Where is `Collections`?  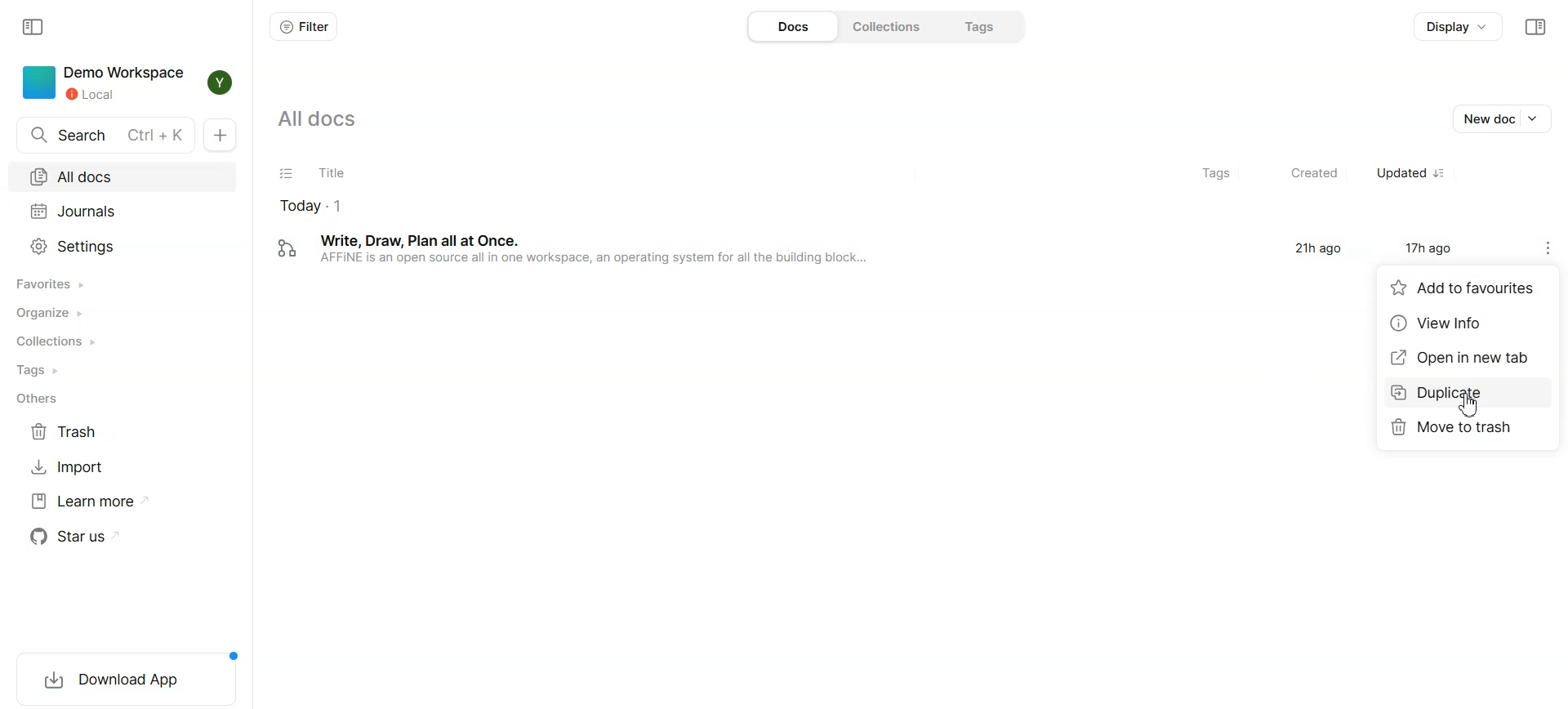
Collections is located at coordinates (122, 342).